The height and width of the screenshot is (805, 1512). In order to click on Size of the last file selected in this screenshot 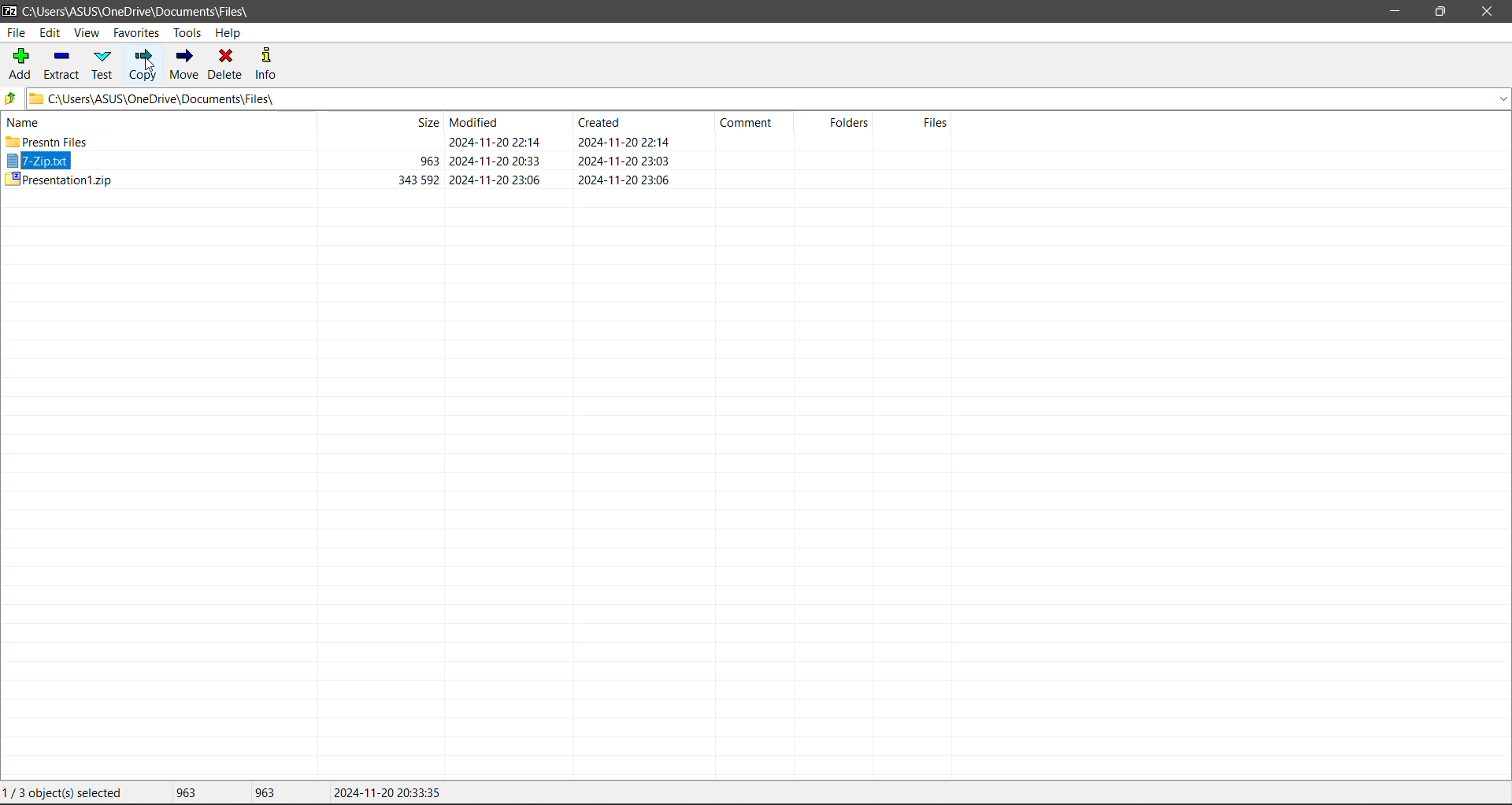, I will do `click(265, 792)`.